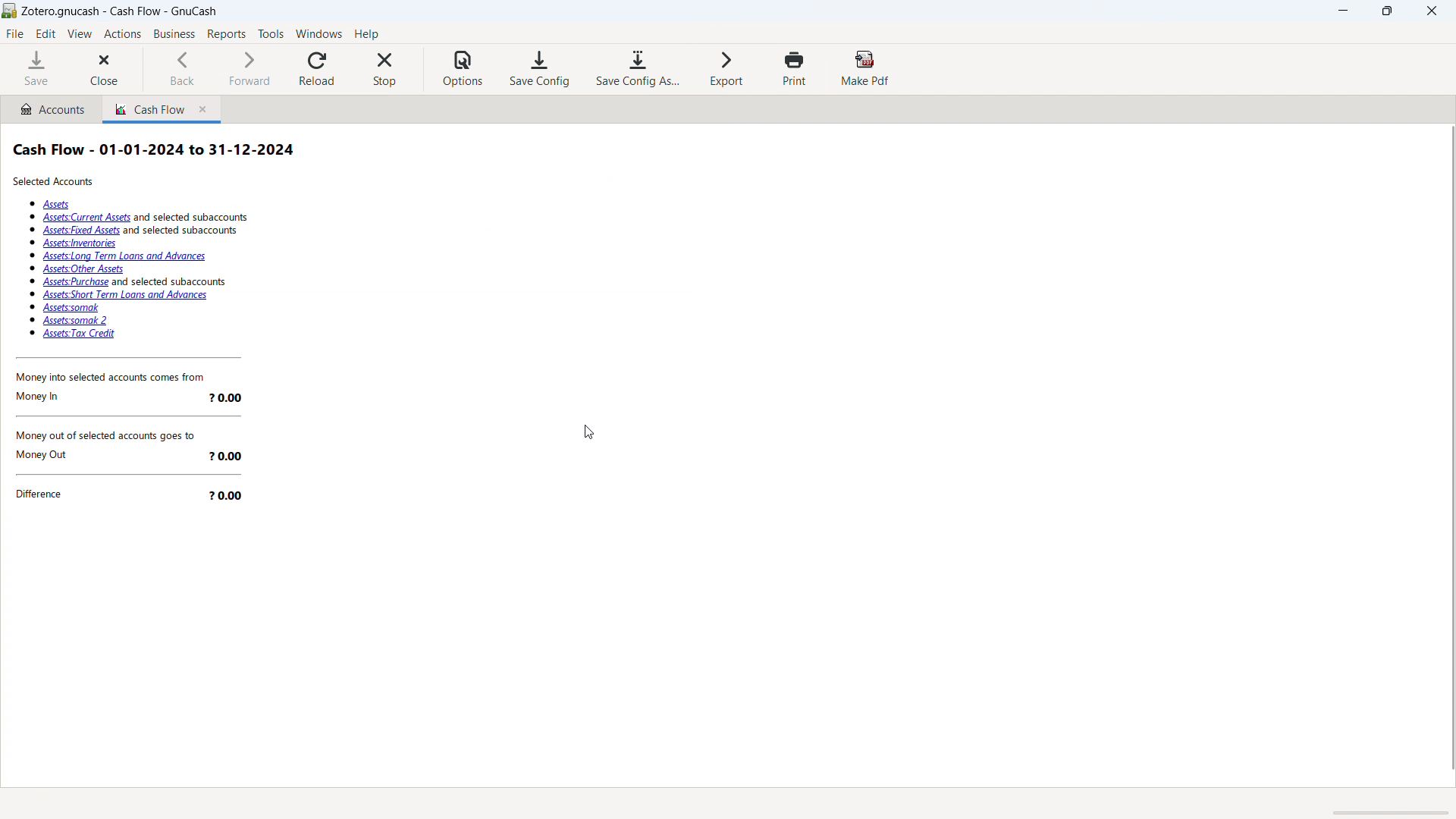 The image size is (1456, 819). Describe the element at coordinates (127, 398) in the screenshot. I see `Money In 20.00` at that location.